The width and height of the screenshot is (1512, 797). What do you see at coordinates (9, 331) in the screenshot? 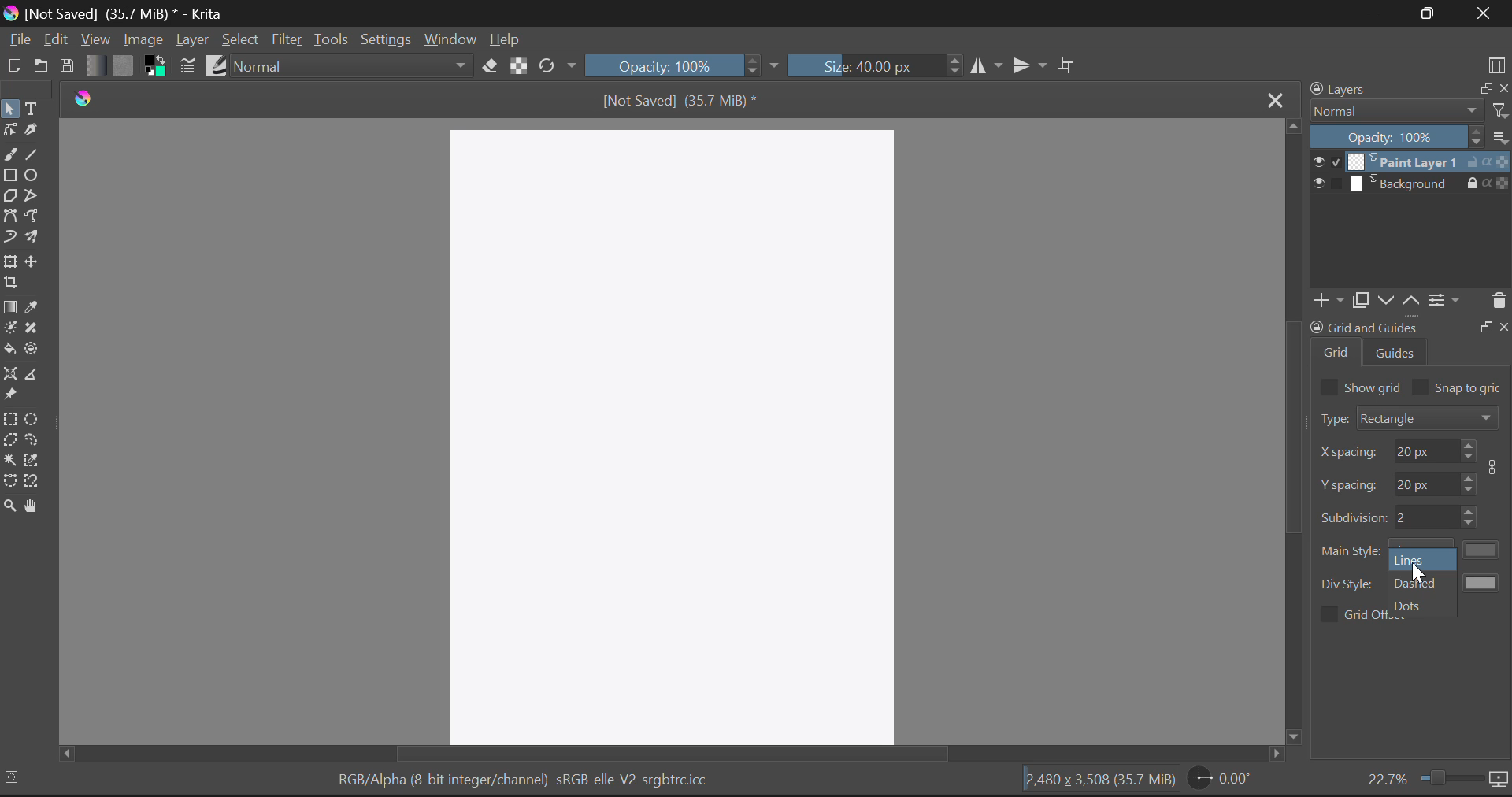
I see `Colorize Mask Tool` at bounding box center [9, 331].